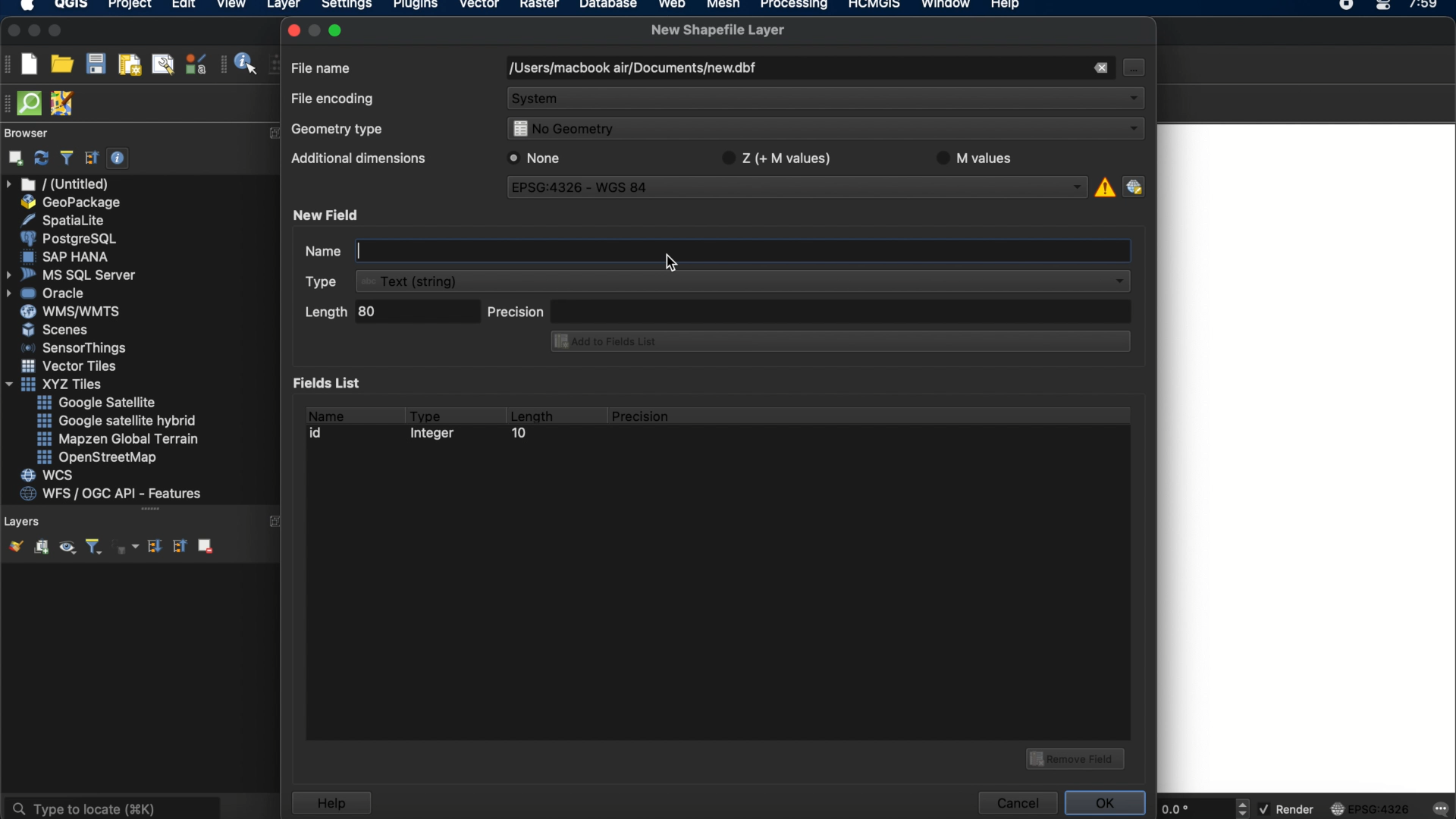 The image size is (1456, 819). I want to click on show layout, so click(163, 64).